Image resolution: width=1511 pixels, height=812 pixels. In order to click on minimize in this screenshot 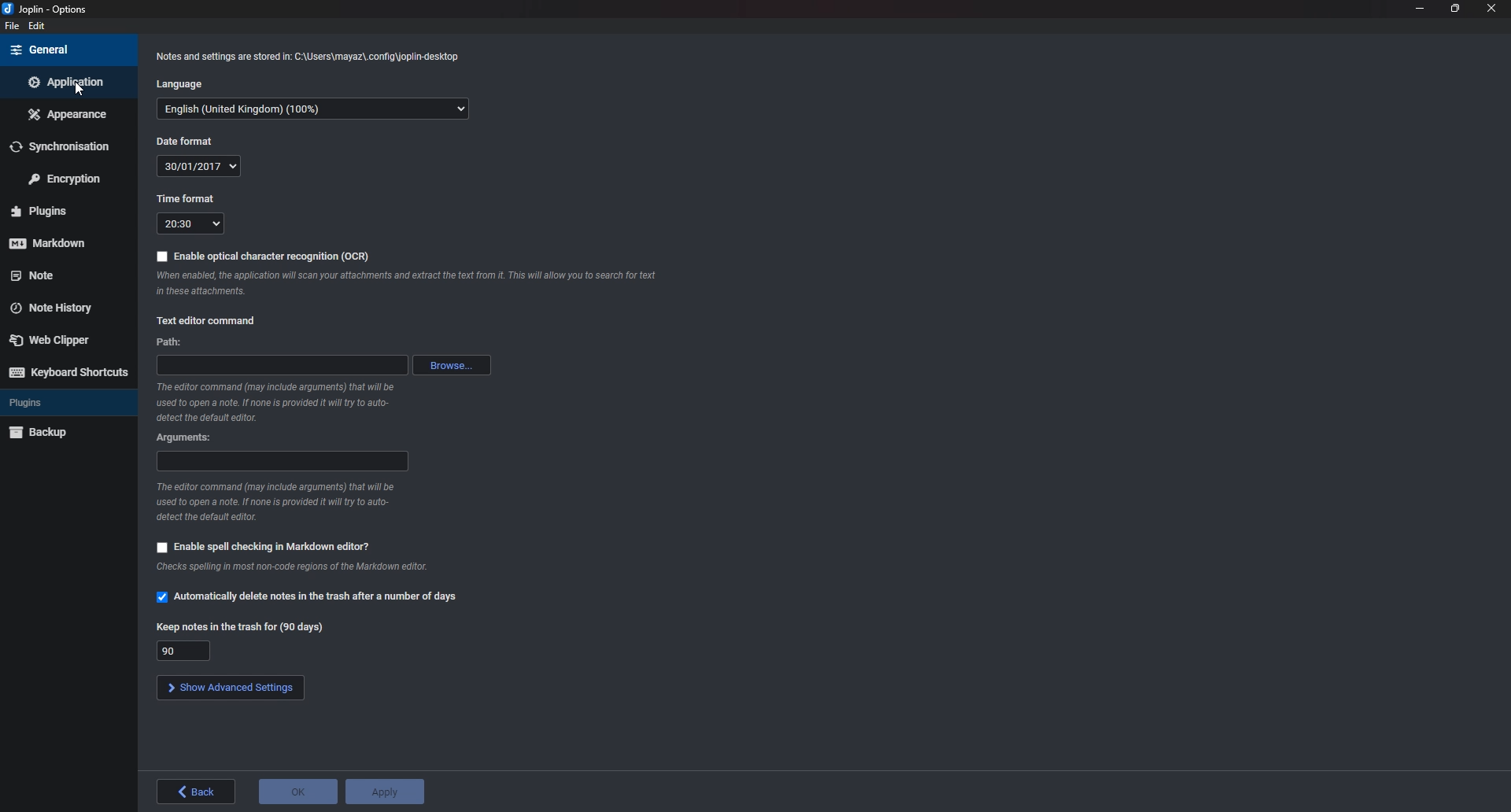, I will do `click(1420, 9)`.